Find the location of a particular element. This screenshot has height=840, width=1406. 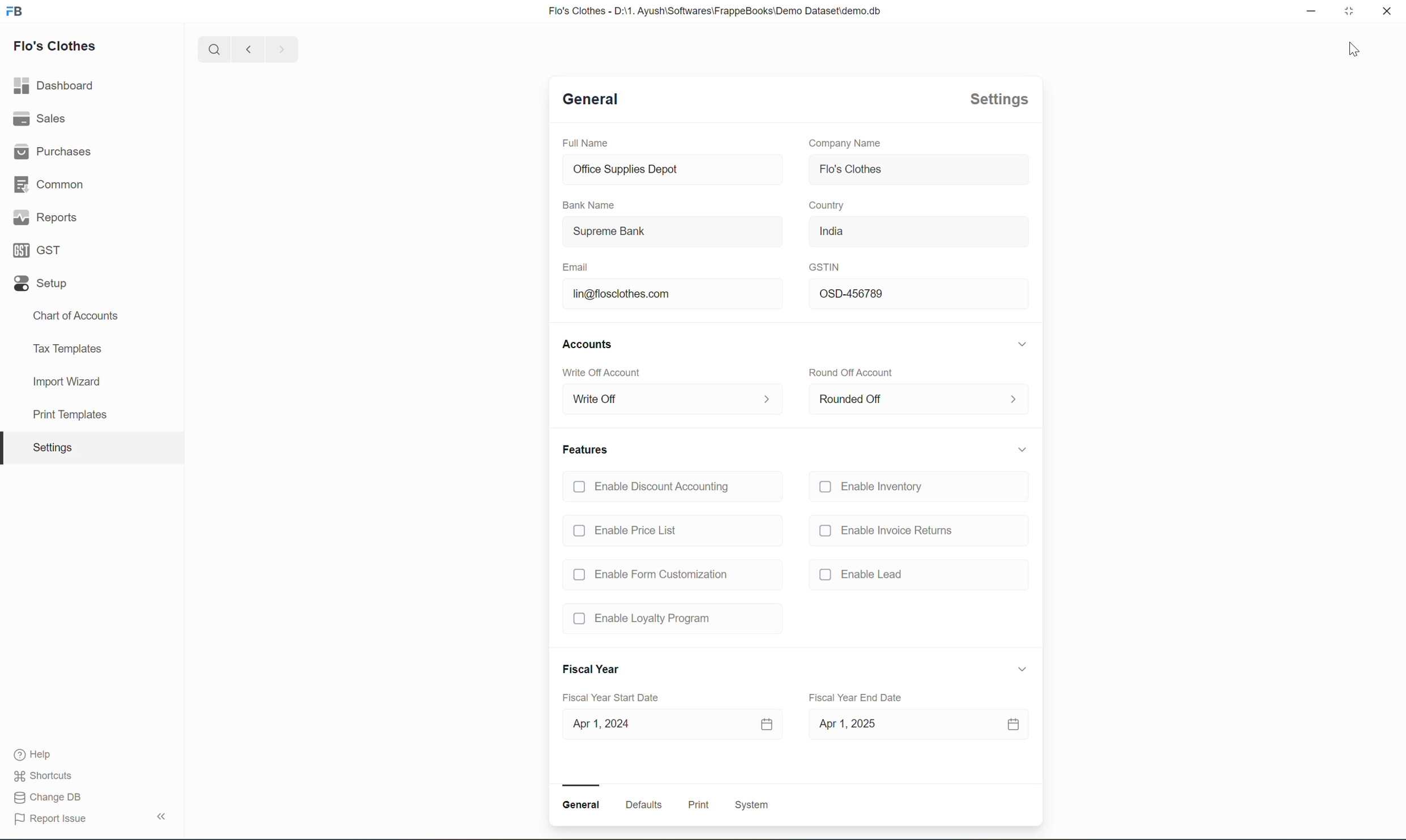

Change DB is located at coordinates (48, 797).